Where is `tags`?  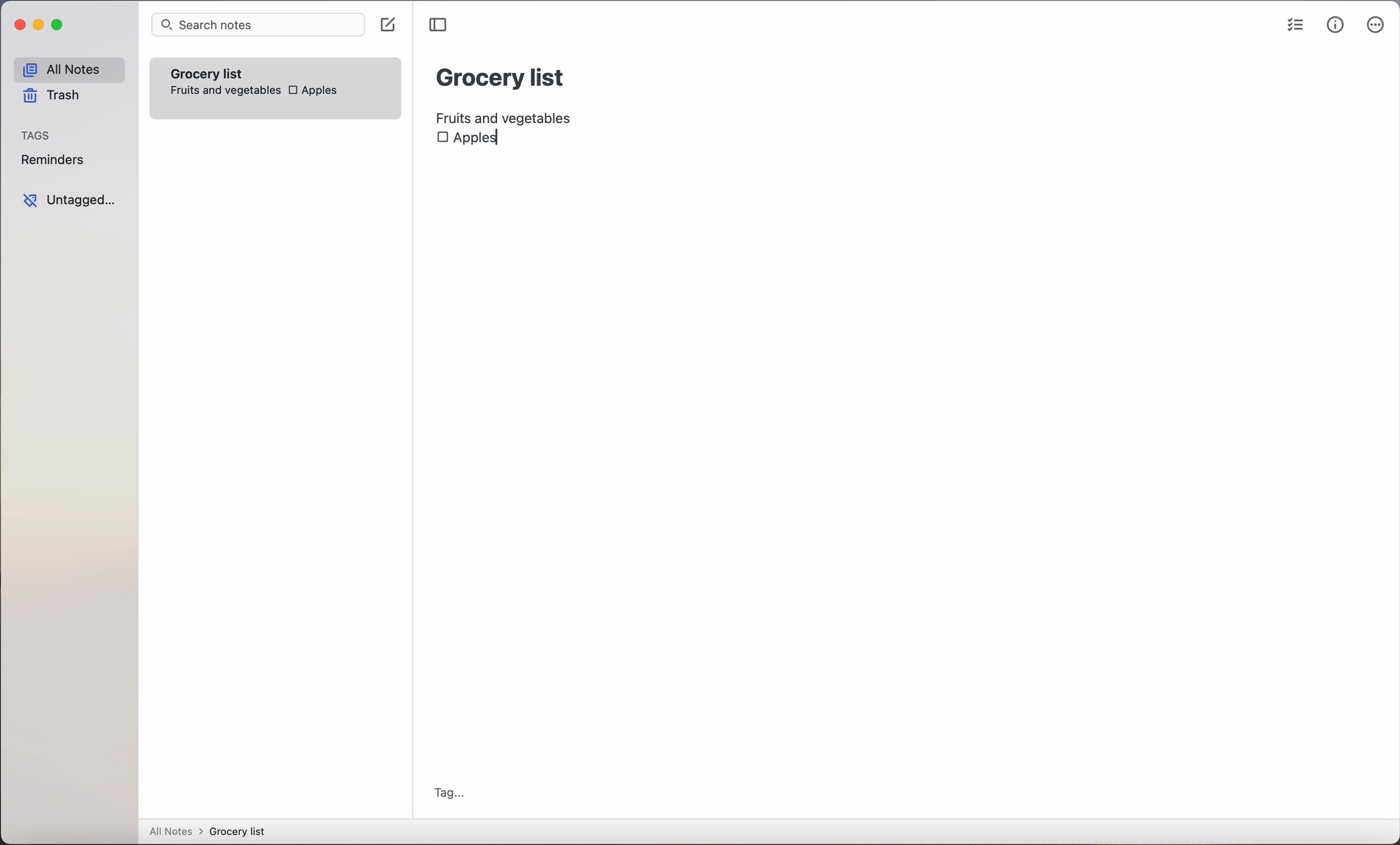 tags is located at coordinates (37, 136).